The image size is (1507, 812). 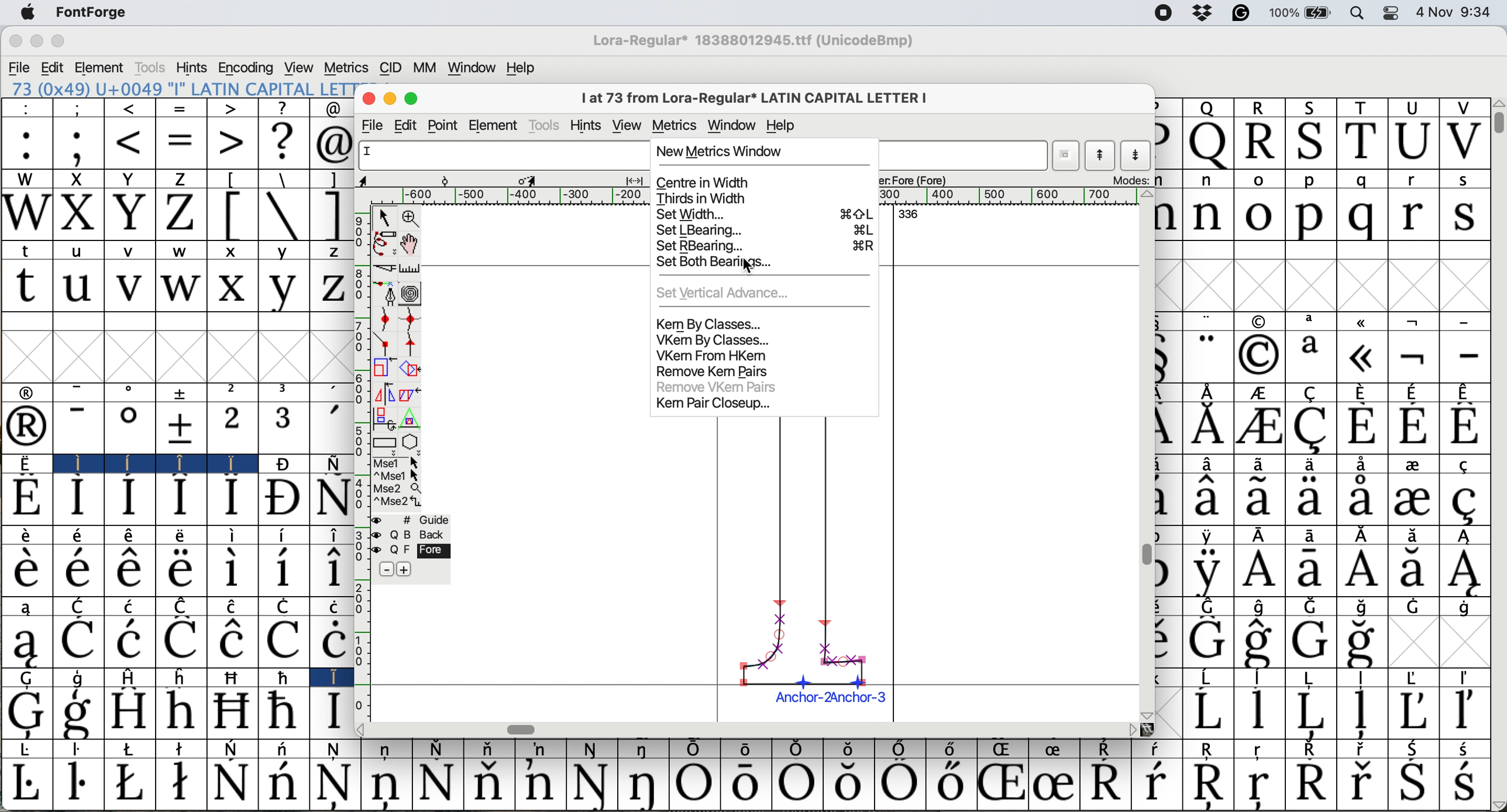 I want to click on Symbol, so click(x=1261, y=787).